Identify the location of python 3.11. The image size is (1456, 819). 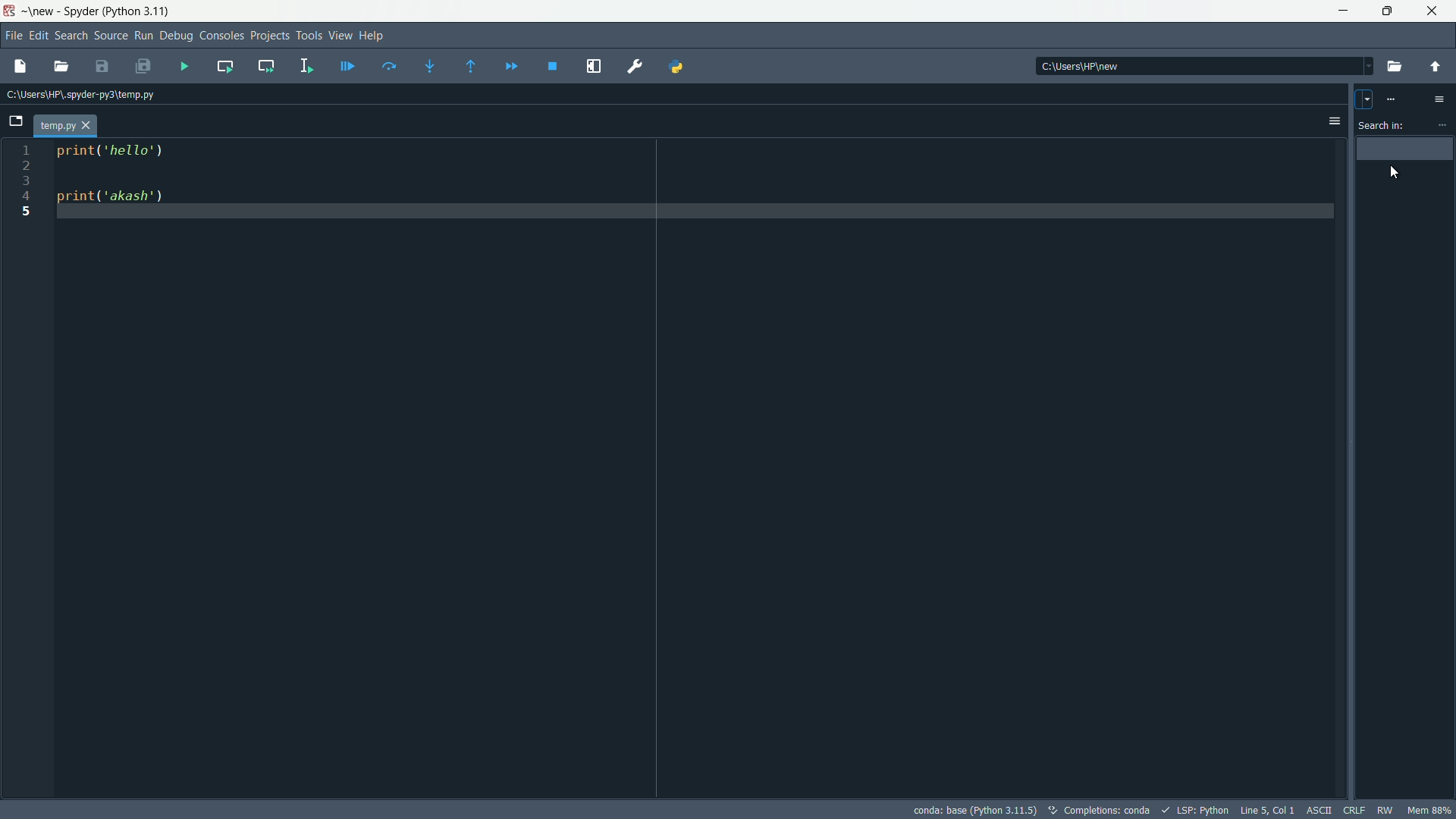
(140, 10).